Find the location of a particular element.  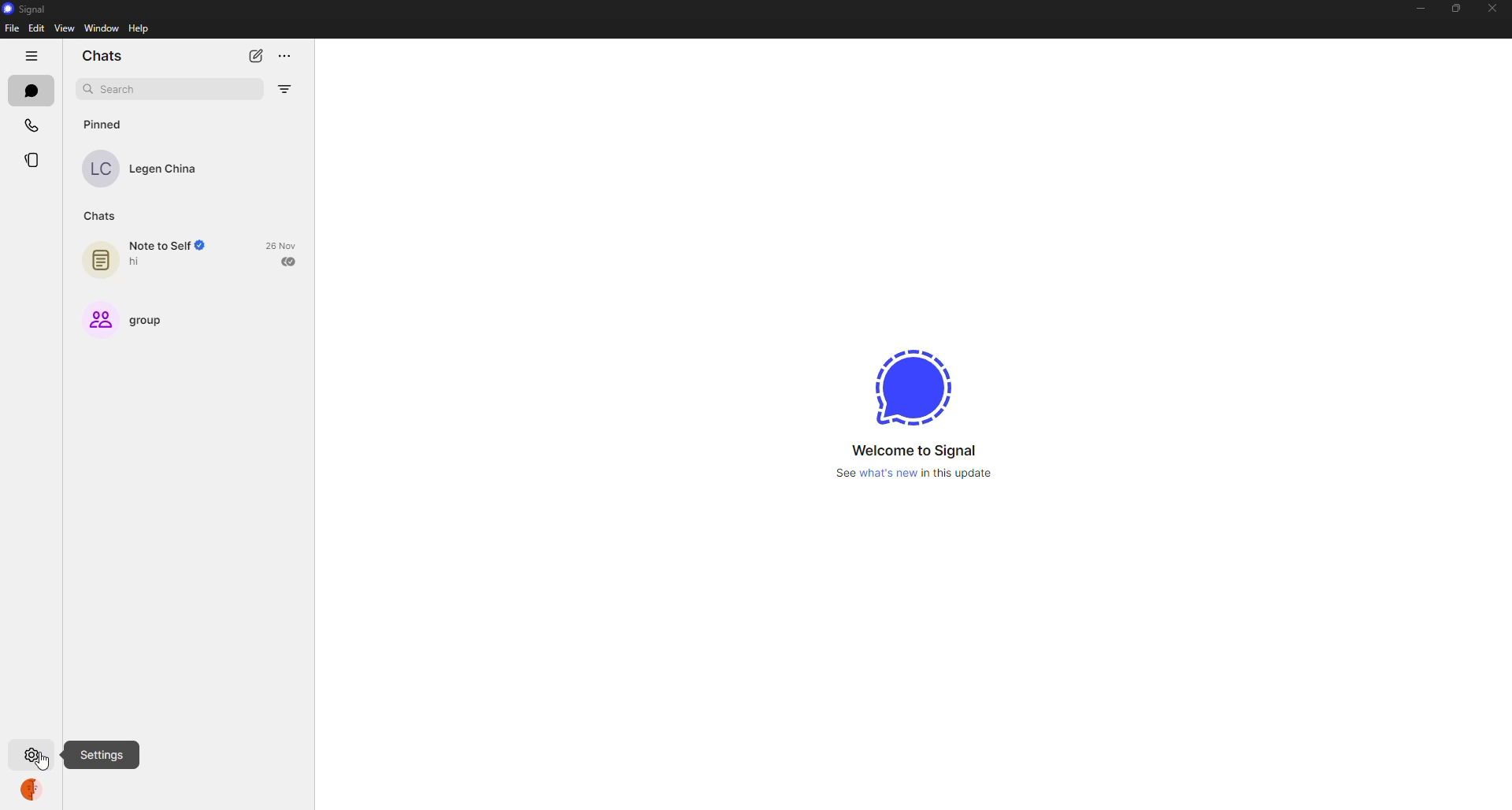

signal is located at coordinates (910, 388).